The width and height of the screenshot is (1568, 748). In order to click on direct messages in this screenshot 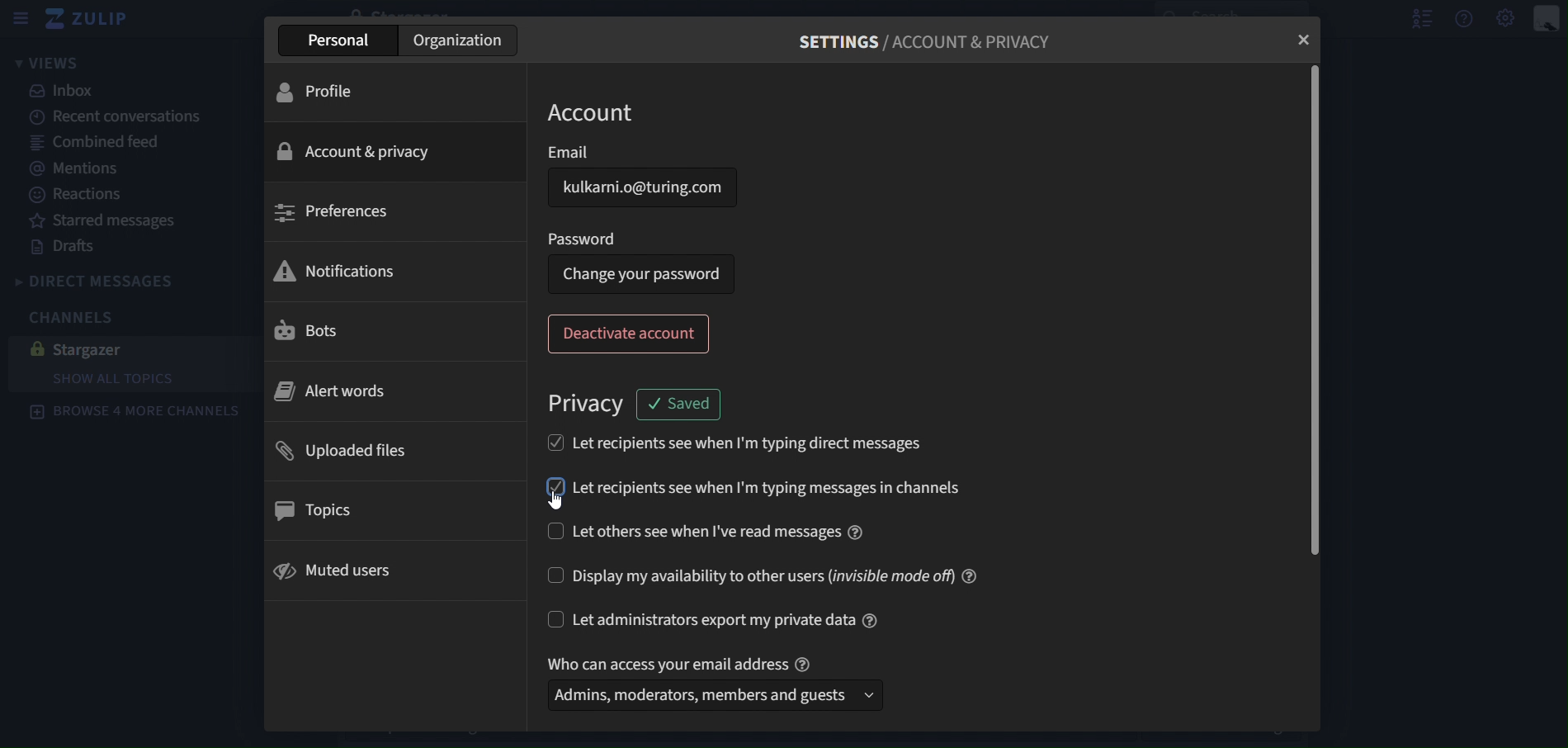, I will do `click(97, 282)`.